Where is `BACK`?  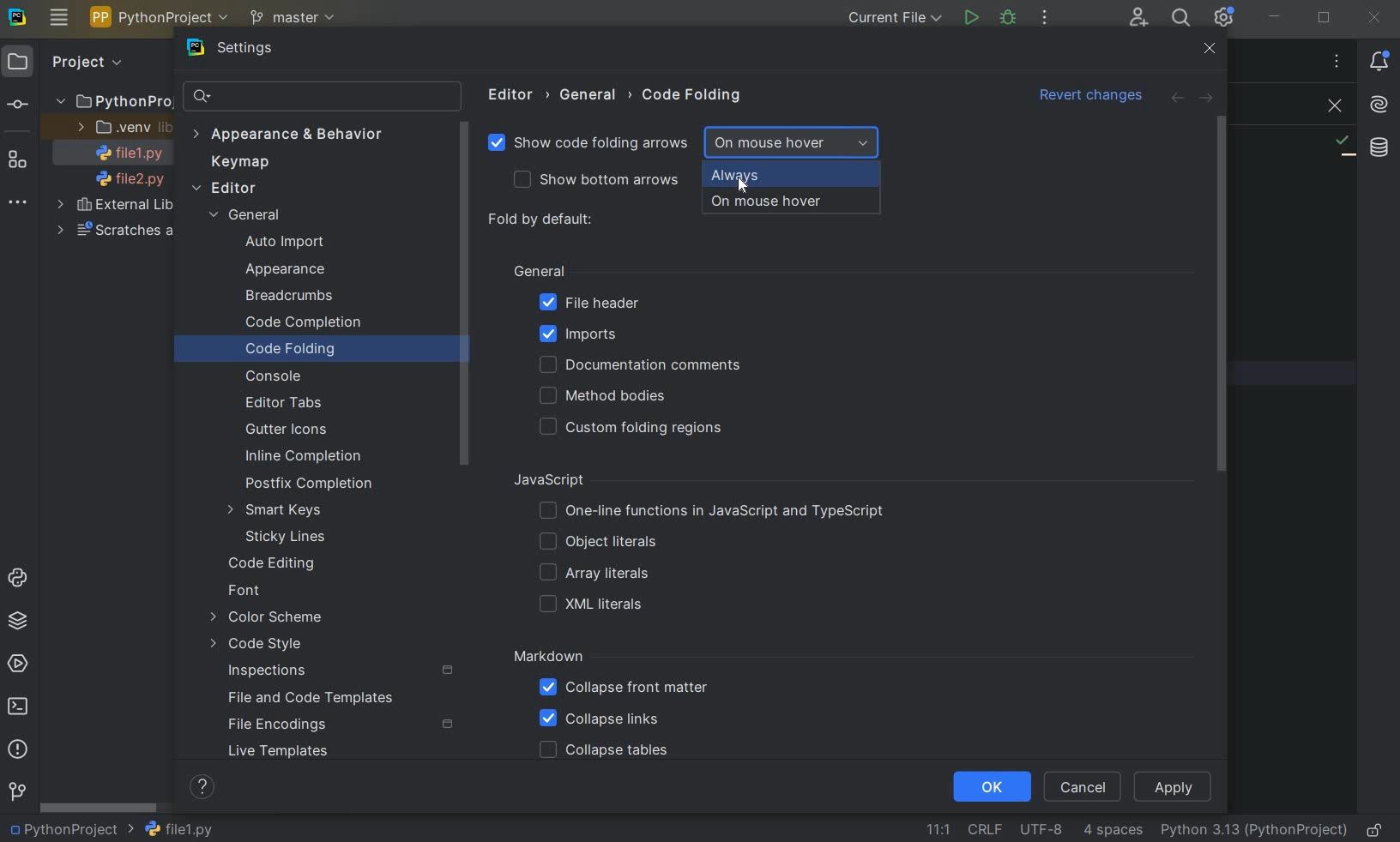
BACK is located at coordinates (1176, 99).